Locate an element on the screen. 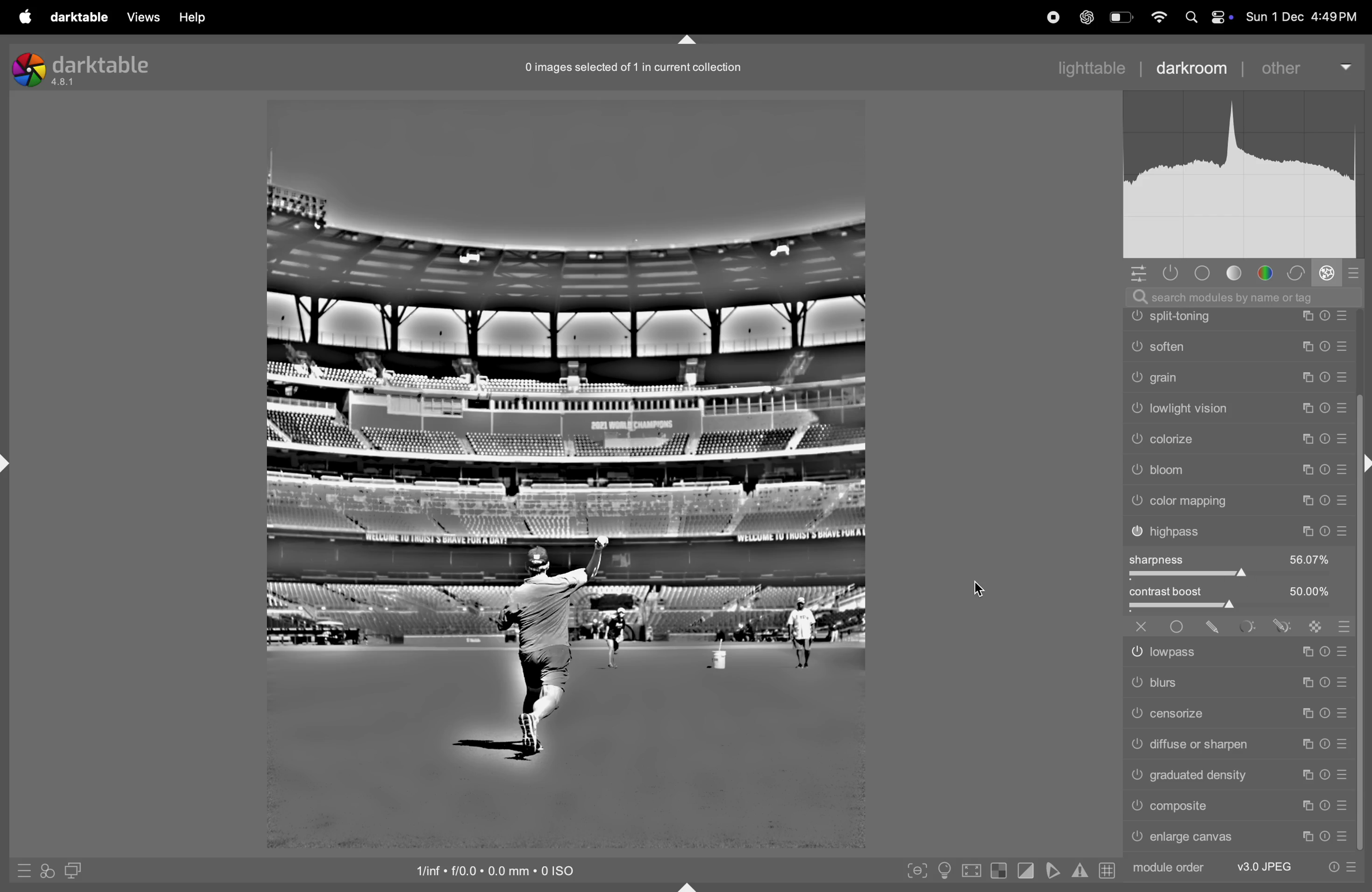 The height and width of the screenshot is (892, 1372). scrolling is located at coordinates (1238, 409).